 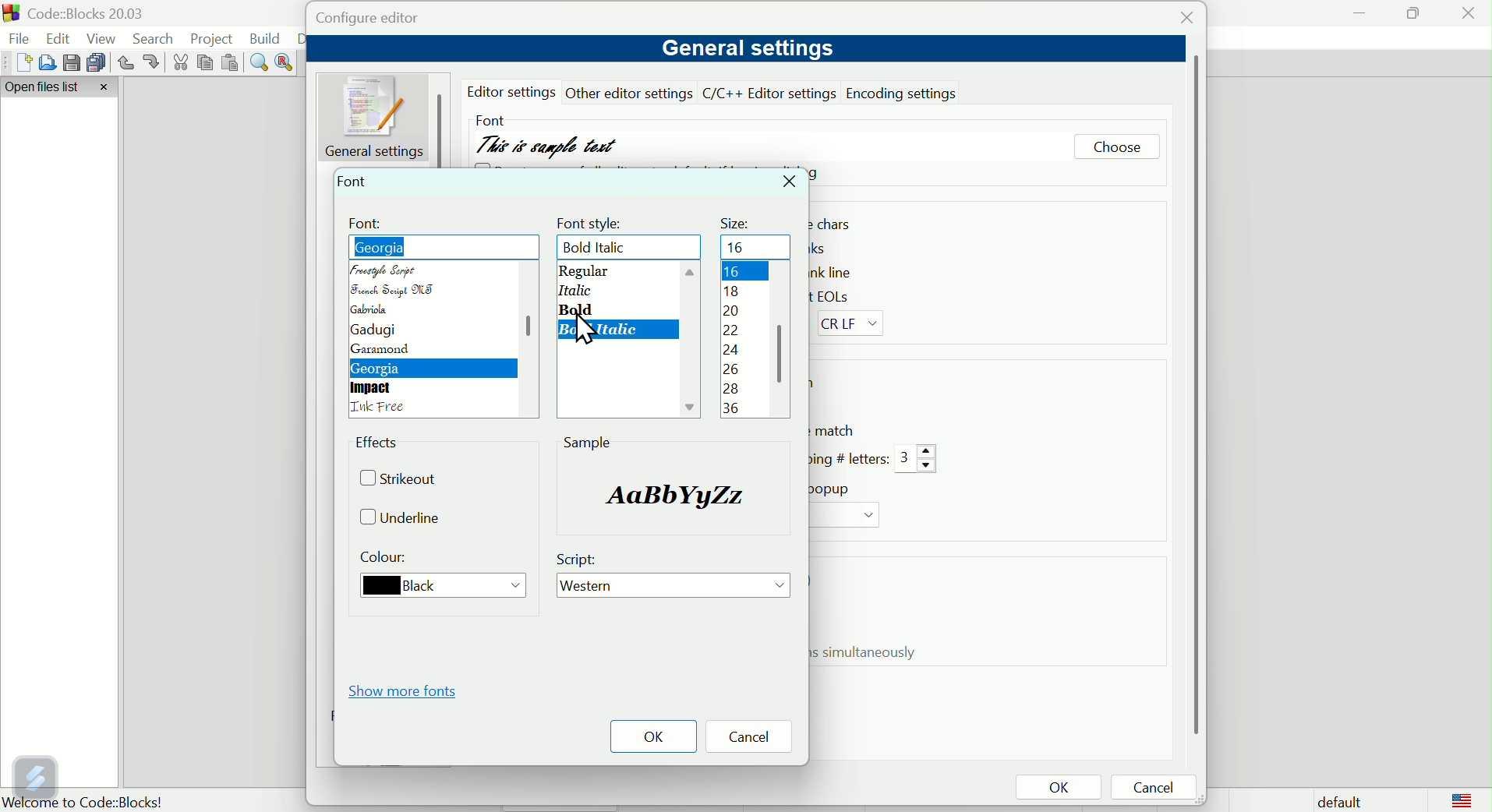 What do you see at coordinates (60, 37) in the screenshot?
I see `Edit` at bounding box center [60, 37].